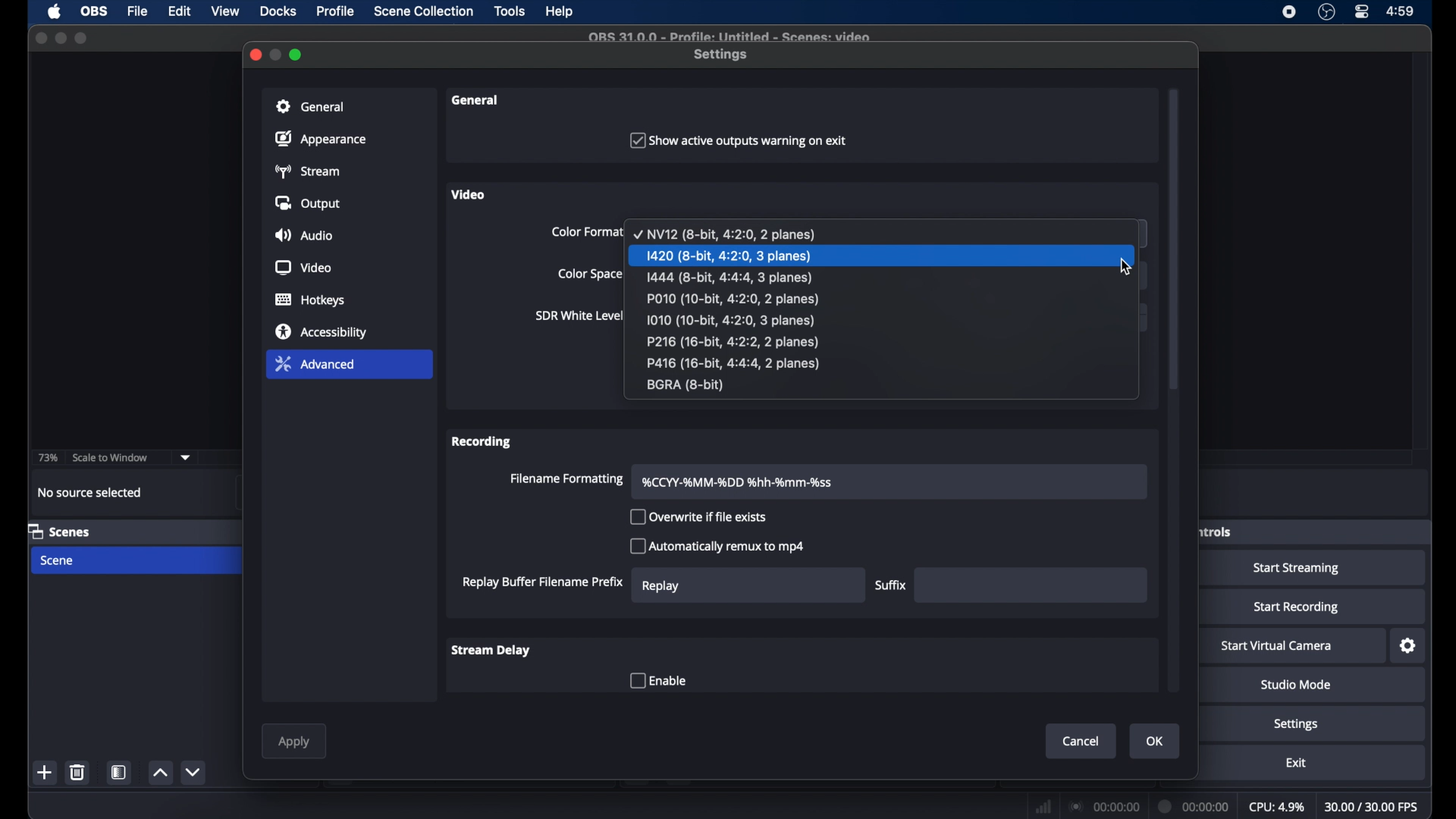 This screenshot has height=819, width=1456. What do you see at coordinates (1278, 645) in the screenshot?
I see `start virtual camera` at bounding box center [1278, 645].